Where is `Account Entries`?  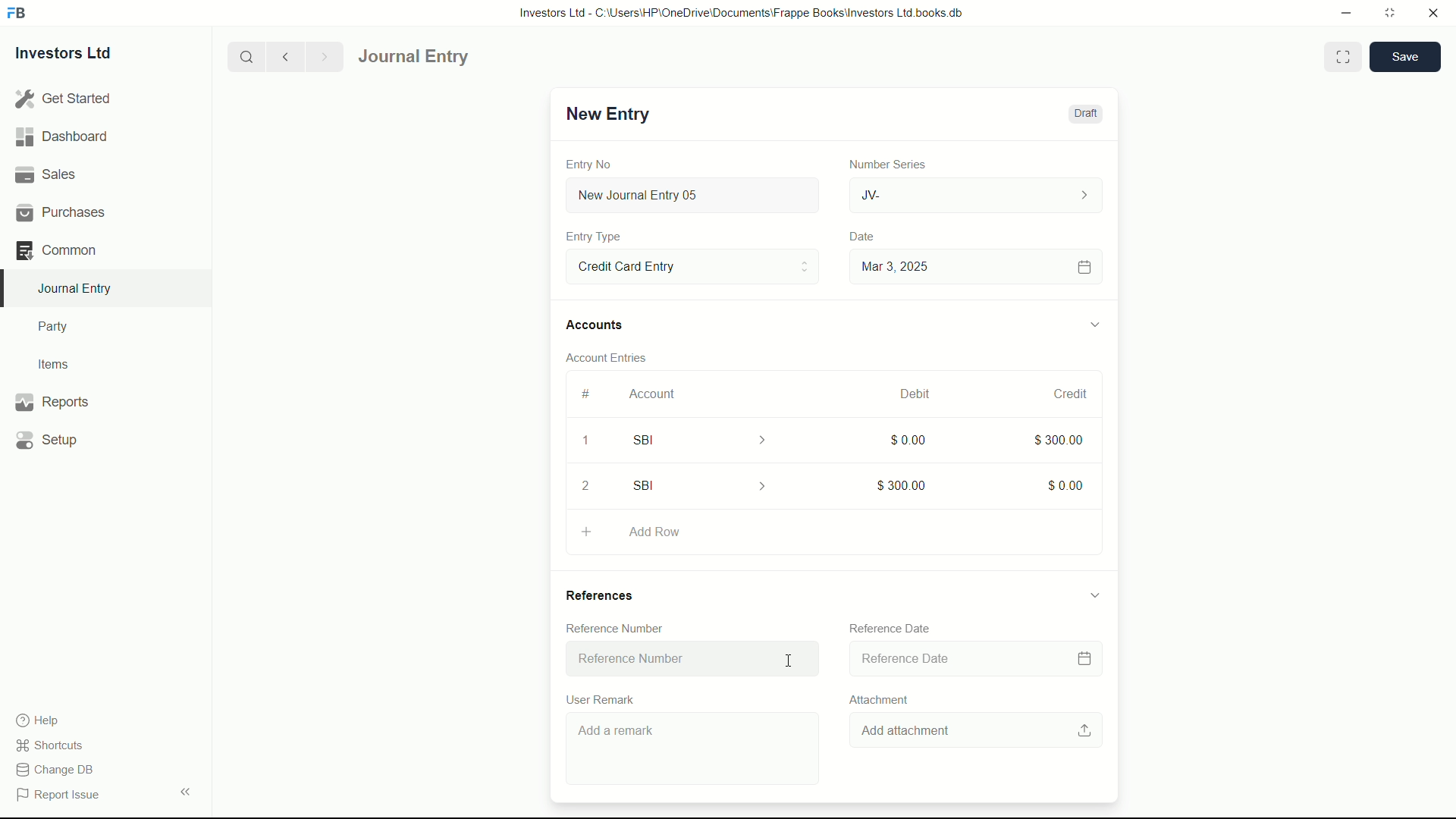
Account Entries is located at coordinates (613, 355).